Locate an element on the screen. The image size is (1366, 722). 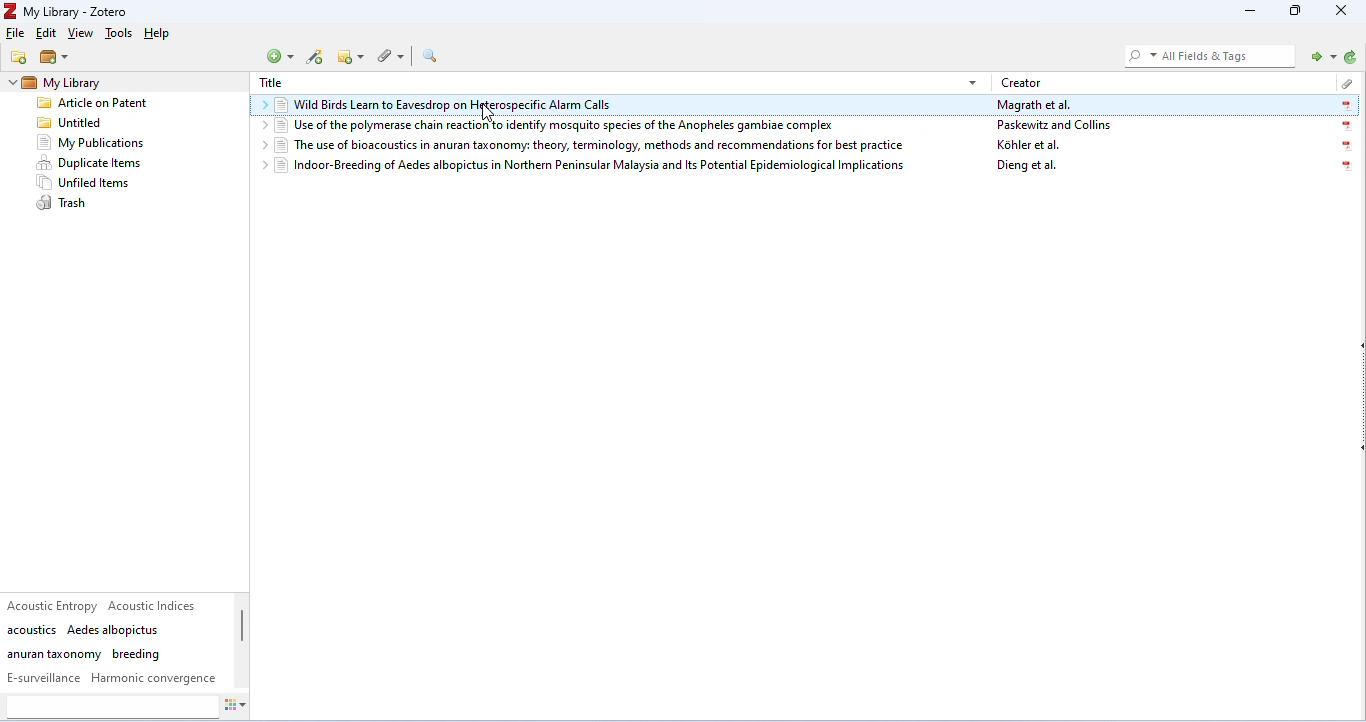
drop down is located at coordinates (264, 107).